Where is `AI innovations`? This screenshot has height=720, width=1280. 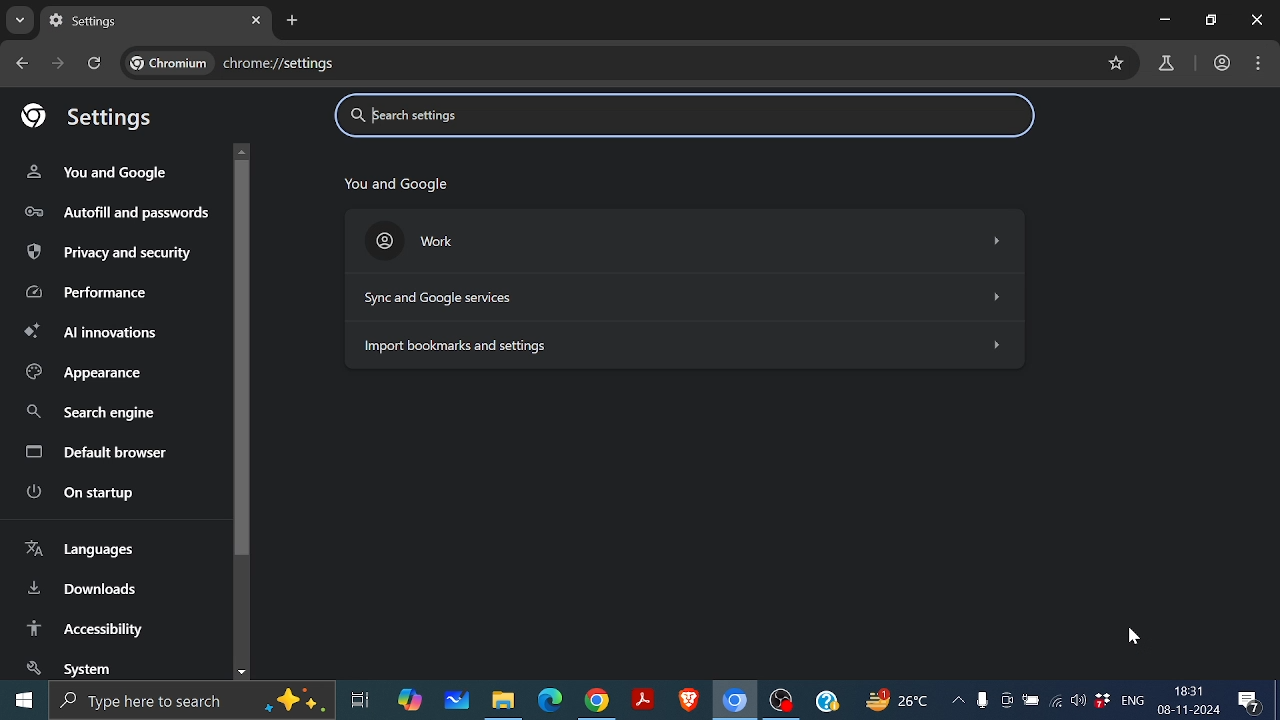
AI innovations is located at coordinates (96, 335).